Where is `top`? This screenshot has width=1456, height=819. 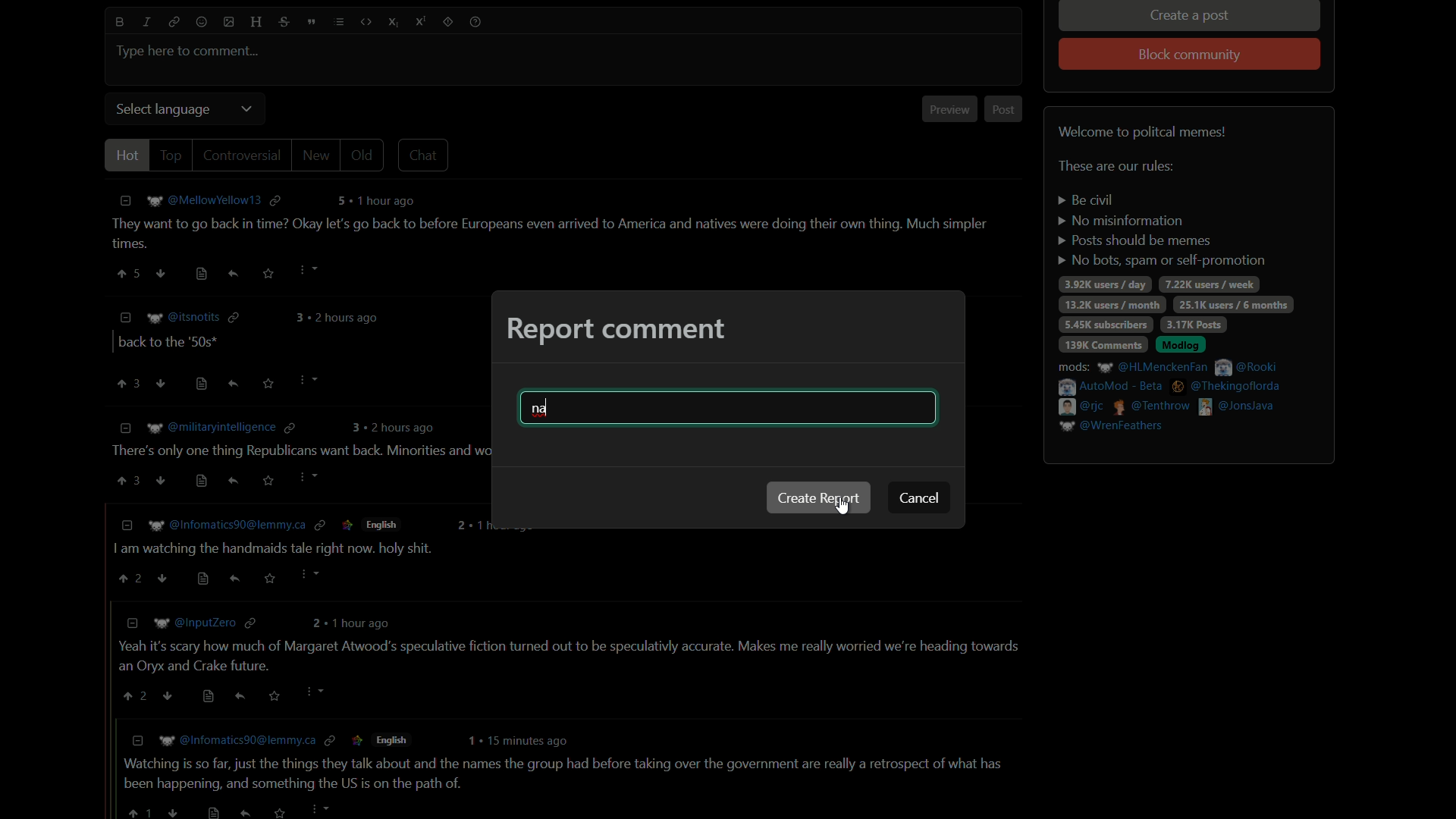
top is located at coordinates (172, 155).